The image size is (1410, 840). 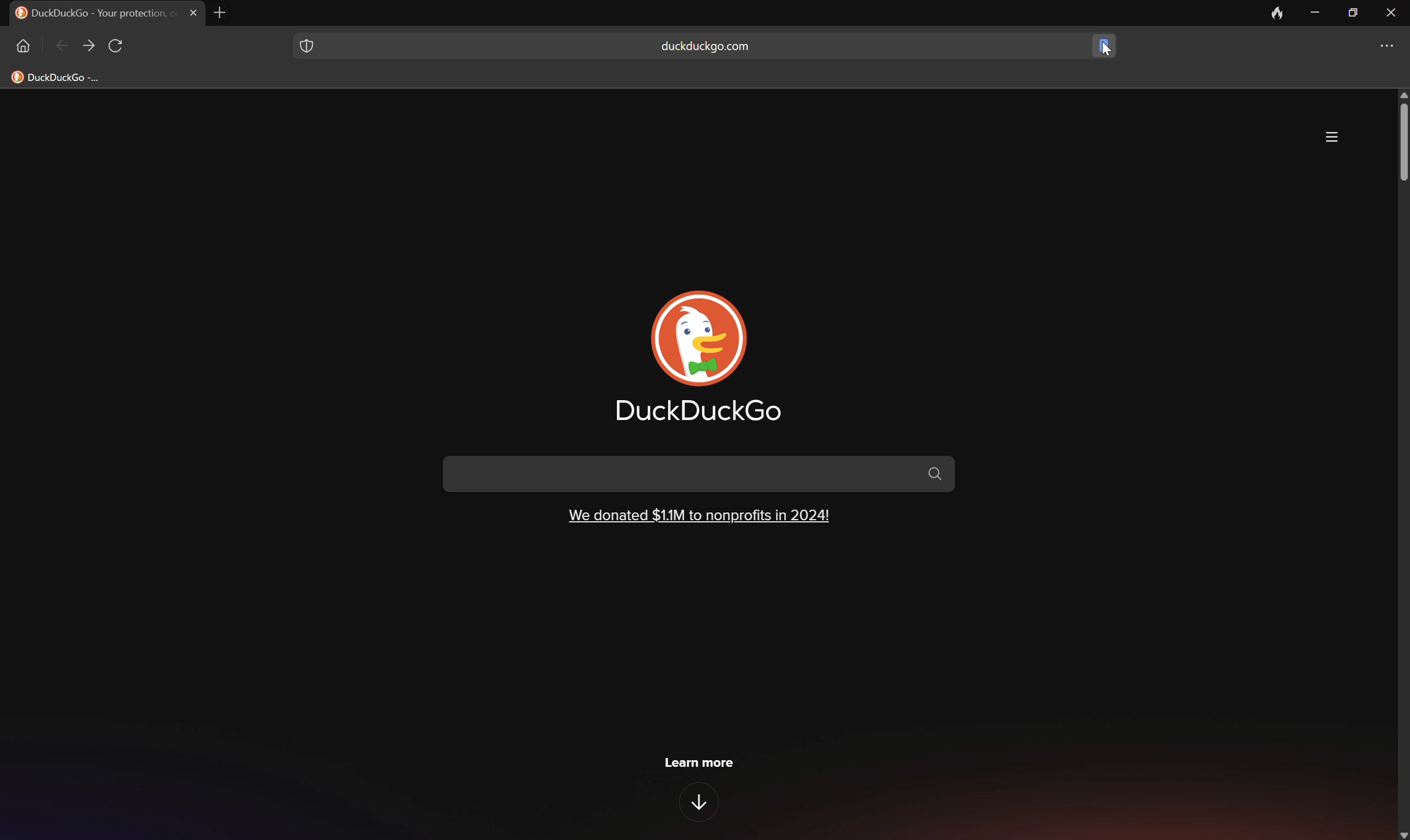 What do you see at coordinates (1332, 137) in the screenshot?
I see `More` at bounding box center [1332, 137].